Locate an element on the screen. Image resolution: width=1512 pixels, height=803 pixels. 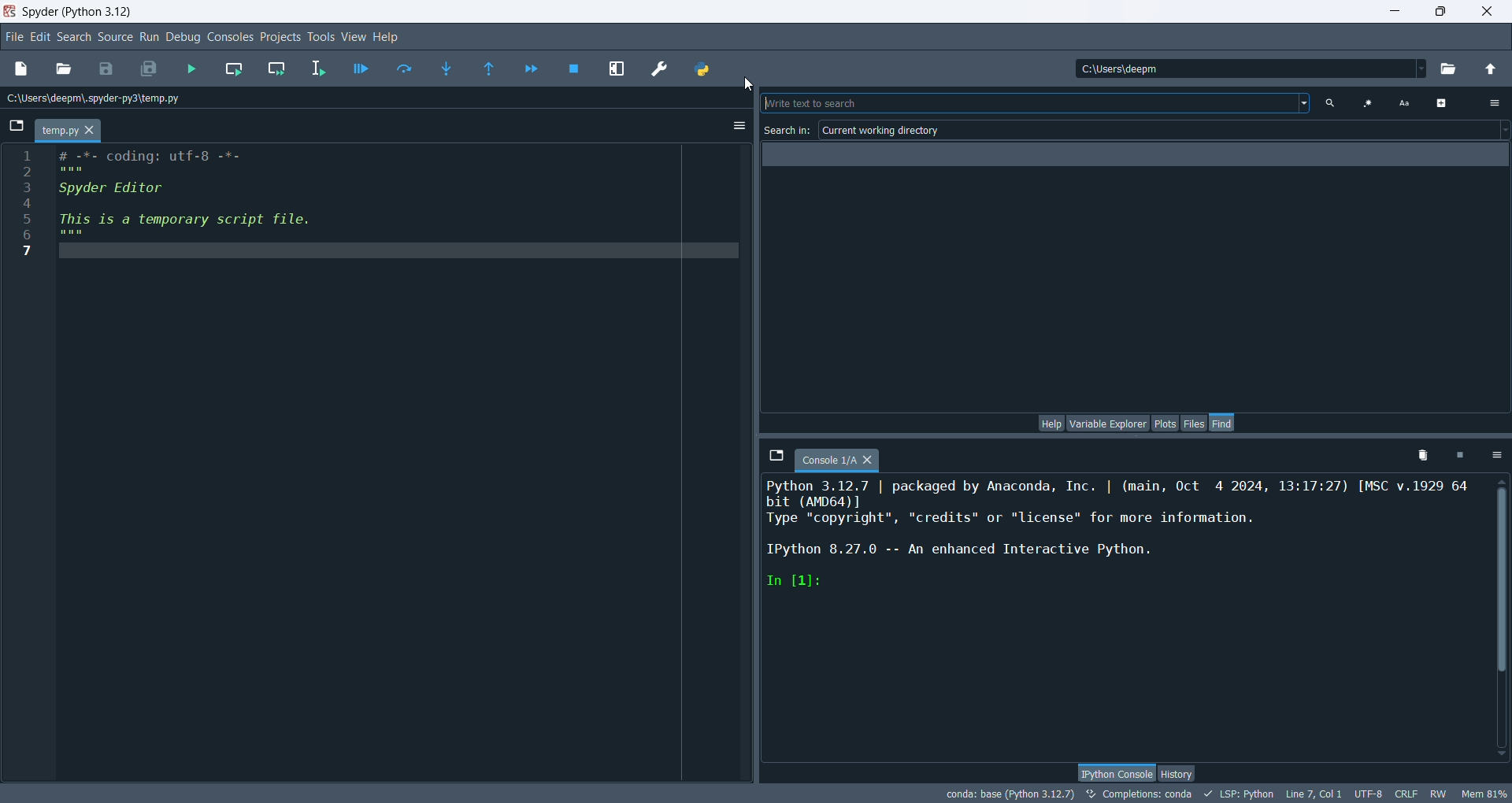
search in is located at coordinates (787, 130).